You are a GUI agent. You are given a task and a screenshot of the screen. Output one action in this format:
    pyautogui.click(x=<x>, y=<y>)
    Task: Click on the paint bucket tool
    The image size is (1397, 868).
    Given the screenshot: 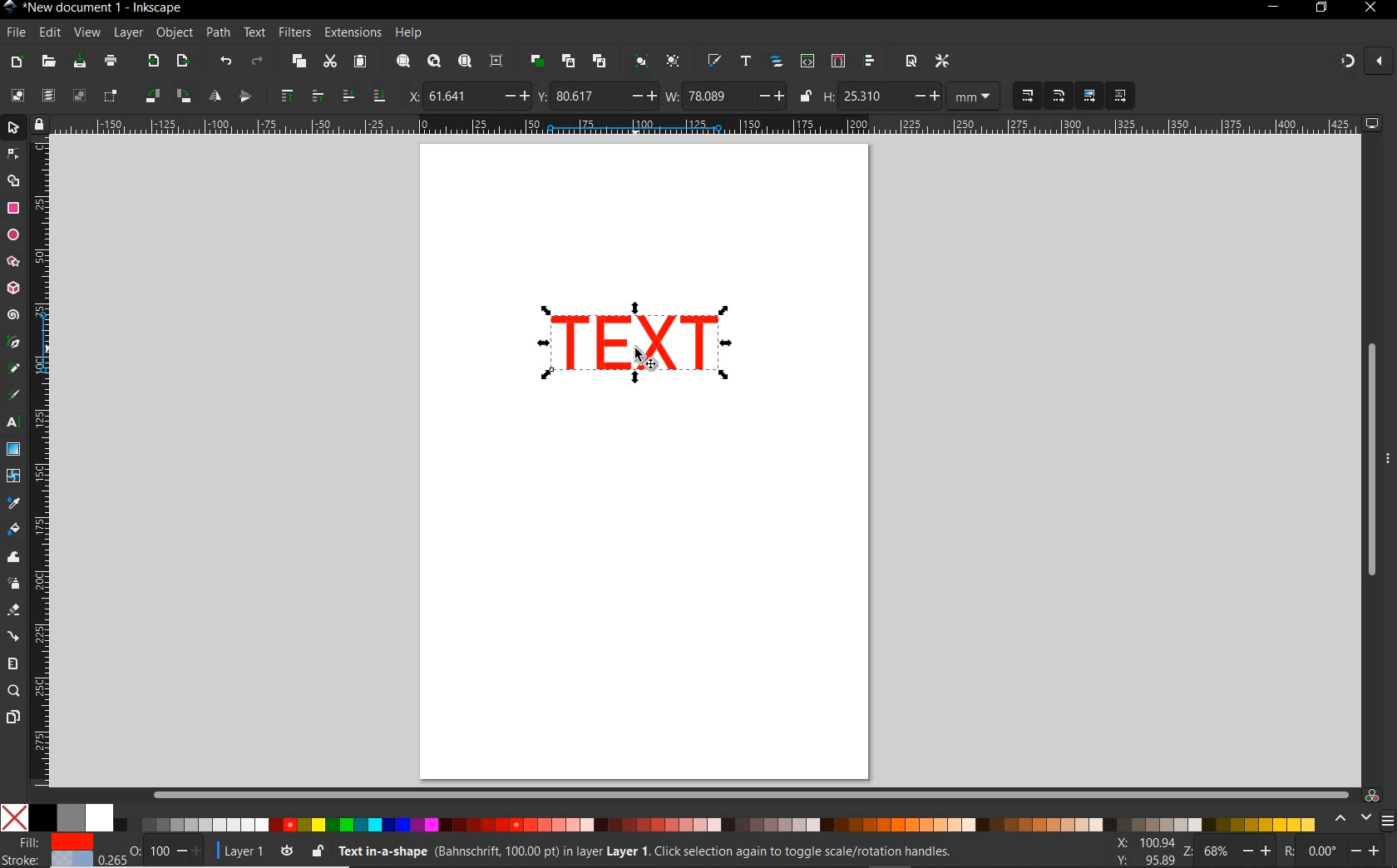 What is the action you would take?
    pyautogui.click(x=14, y=530)
    